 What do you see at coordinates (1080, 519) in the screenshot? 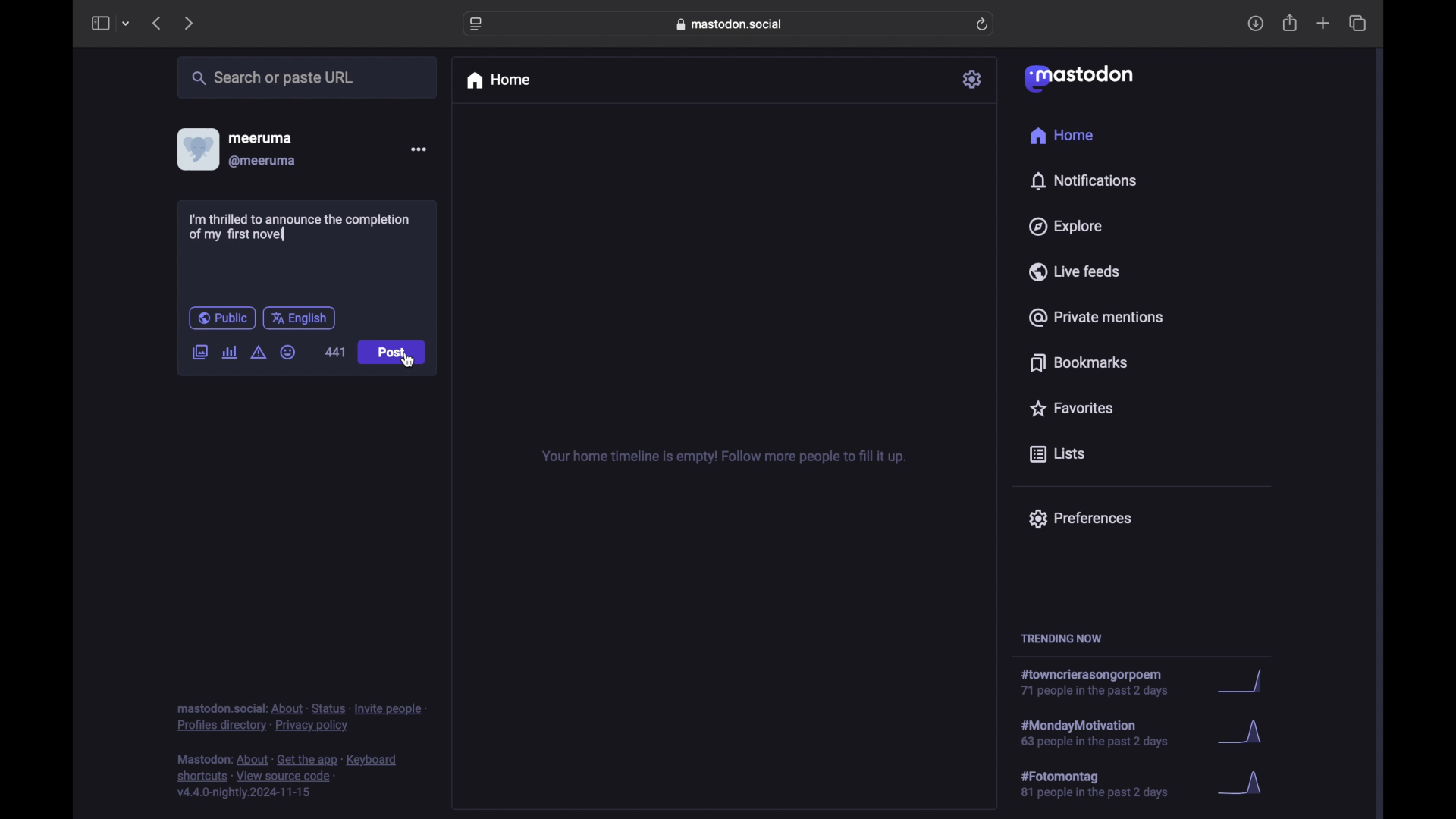
I see `preferences` at bounding box center [1080, 519].